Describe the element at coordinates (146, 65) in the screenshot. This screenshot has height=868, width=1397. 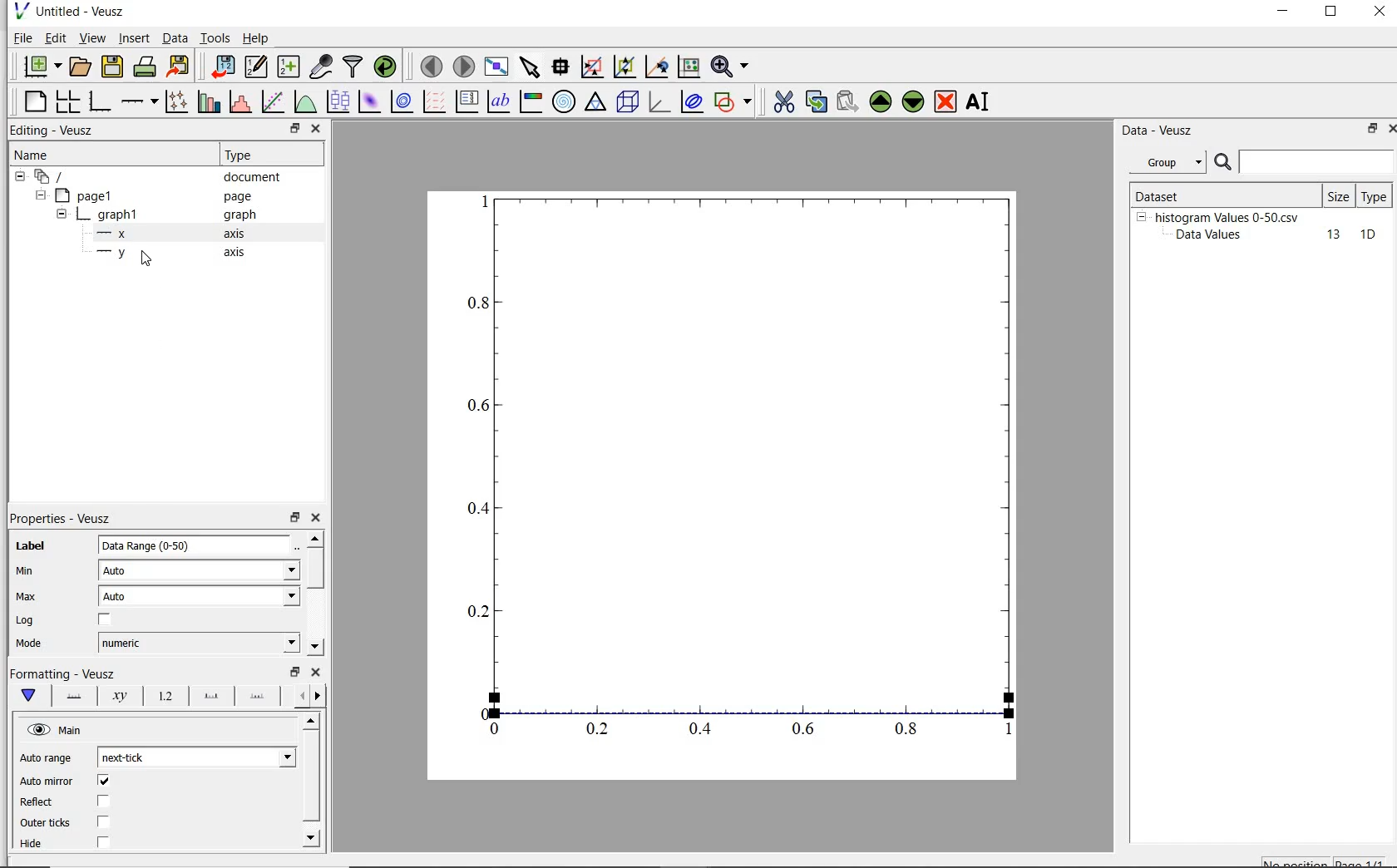
I see `print the document` at that location.